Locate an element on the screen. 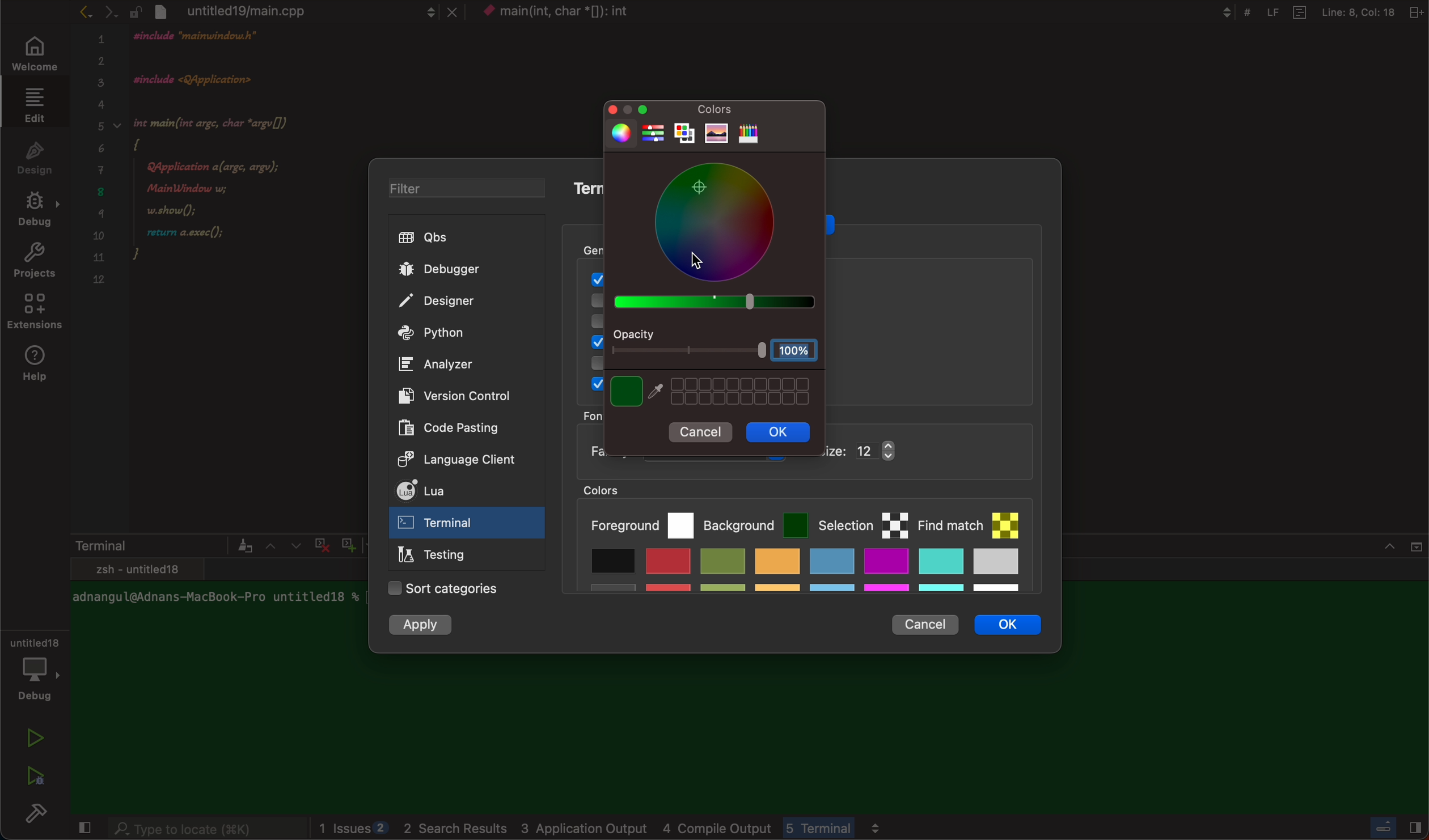 This screenshot has height=840, width=1429. help is located at coordinates (39, 364).